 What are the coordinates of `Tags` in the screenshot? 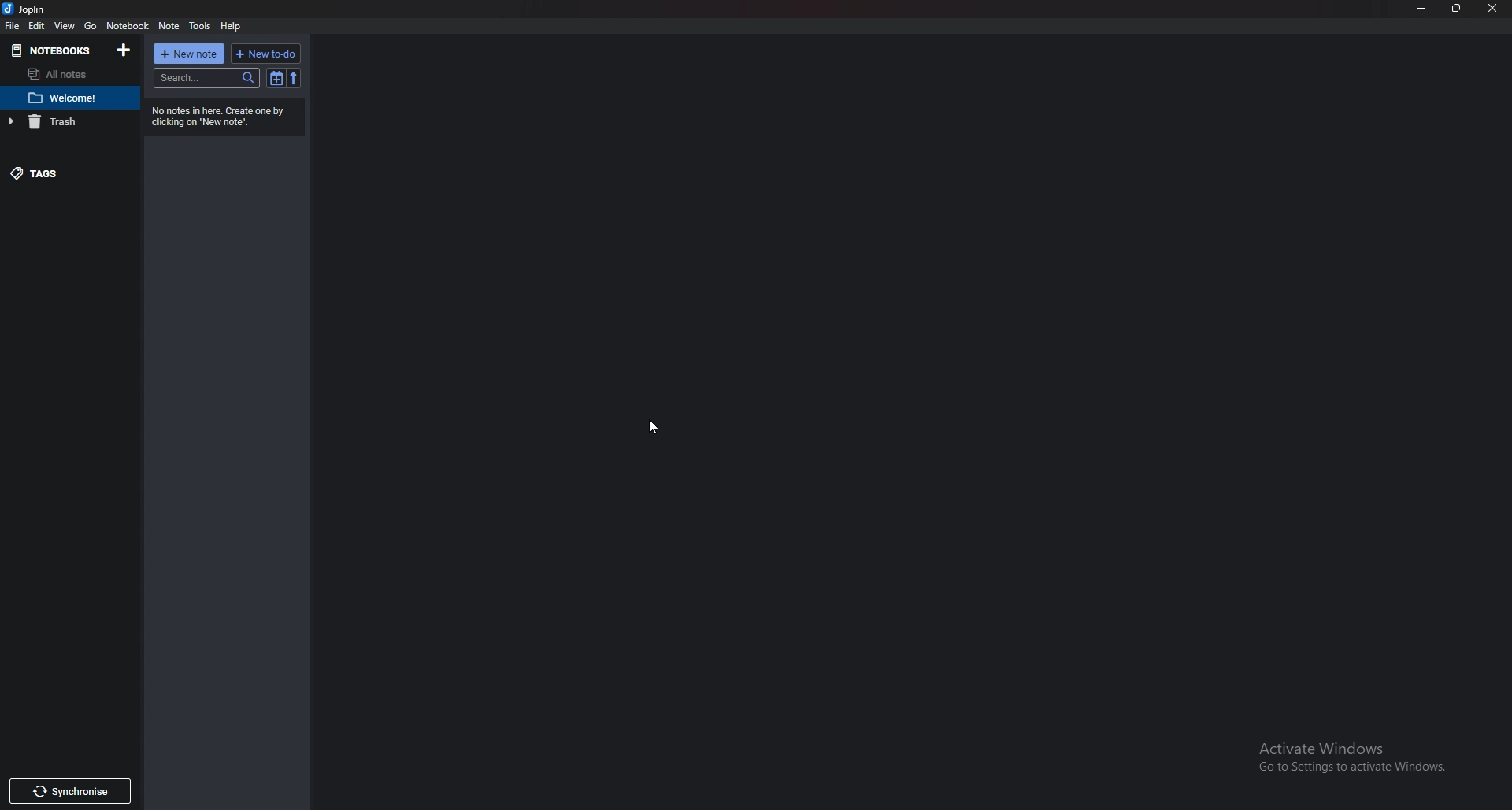 It's located at (65, 172).